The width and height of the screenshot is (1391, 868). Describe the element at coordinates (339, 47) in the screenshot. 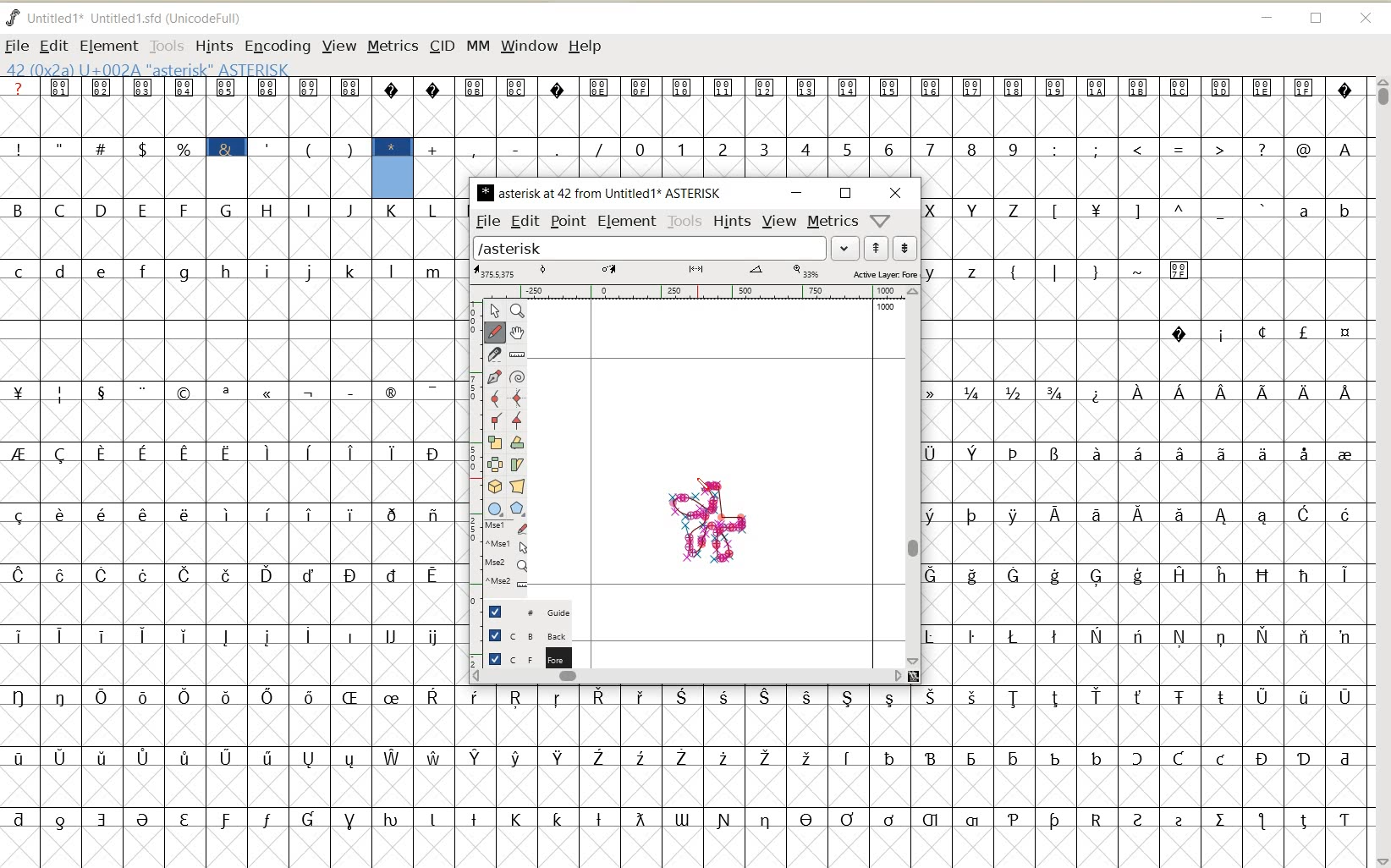

I see `VIEW` at that location.